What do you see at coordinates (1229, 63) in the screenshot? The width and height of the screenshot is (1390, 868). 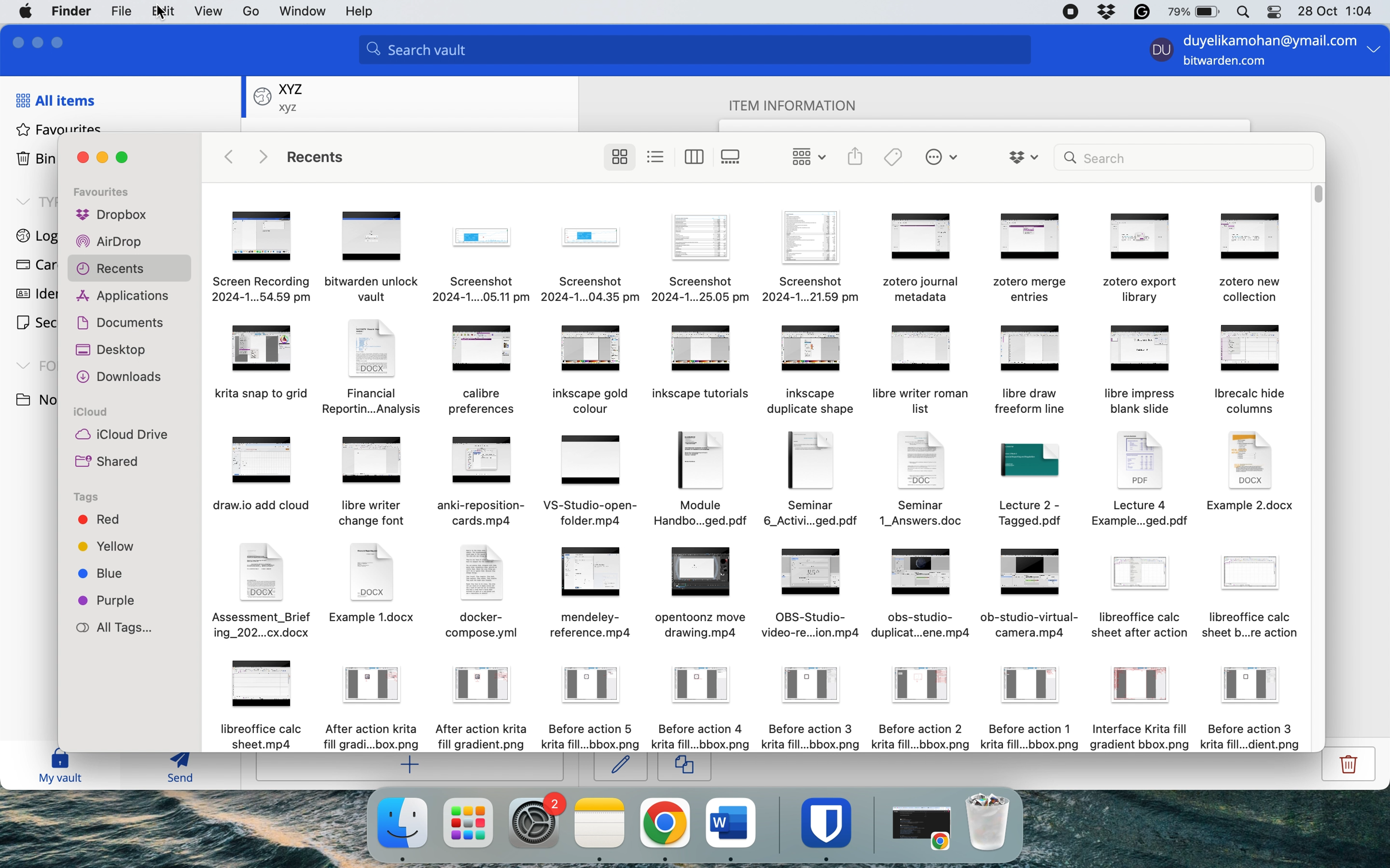 I see `bitwarden.com` at bounding box center [1229, 63].